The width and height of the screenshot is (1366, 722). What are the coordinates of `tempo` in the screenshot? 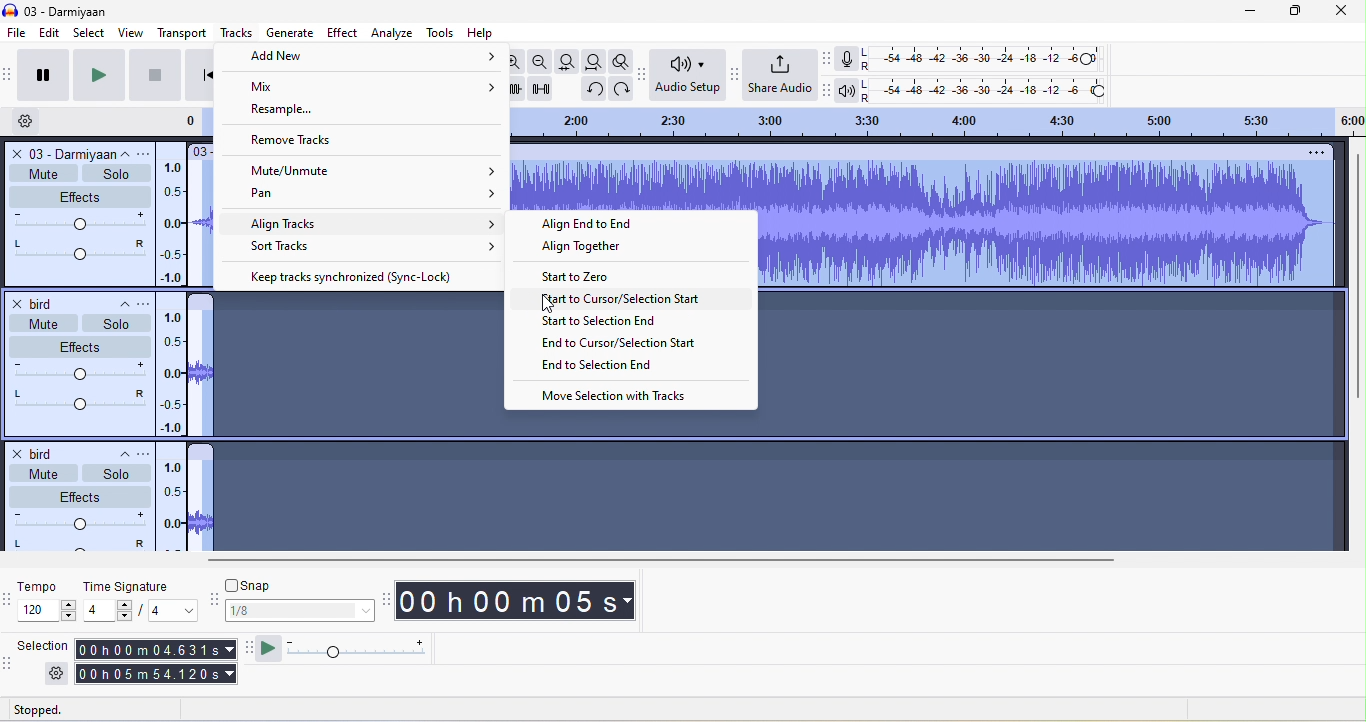 It's located at (47, 589).